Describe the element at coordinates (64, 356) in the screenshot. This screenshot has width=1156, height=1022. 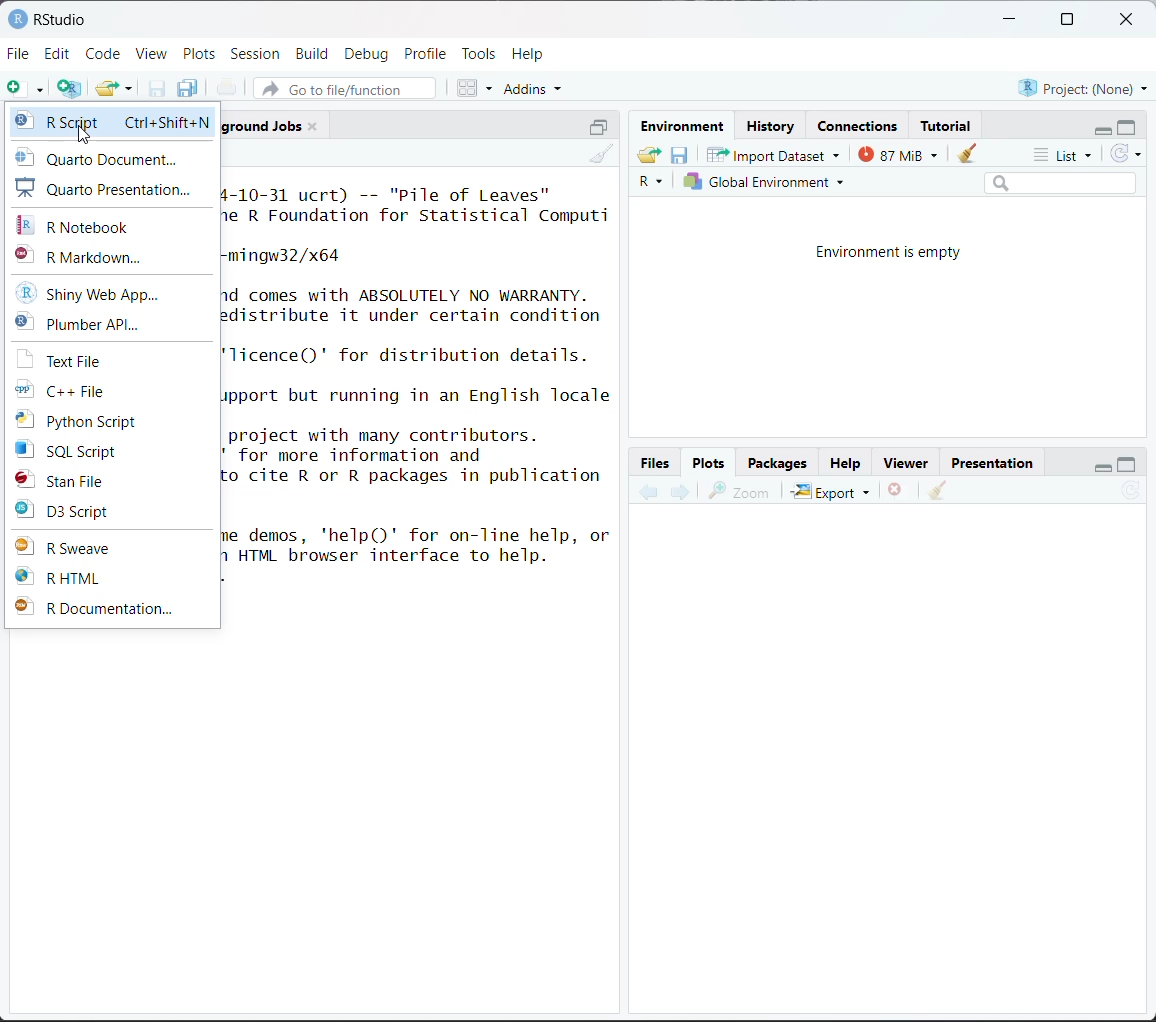
I see `Text File` at that location.